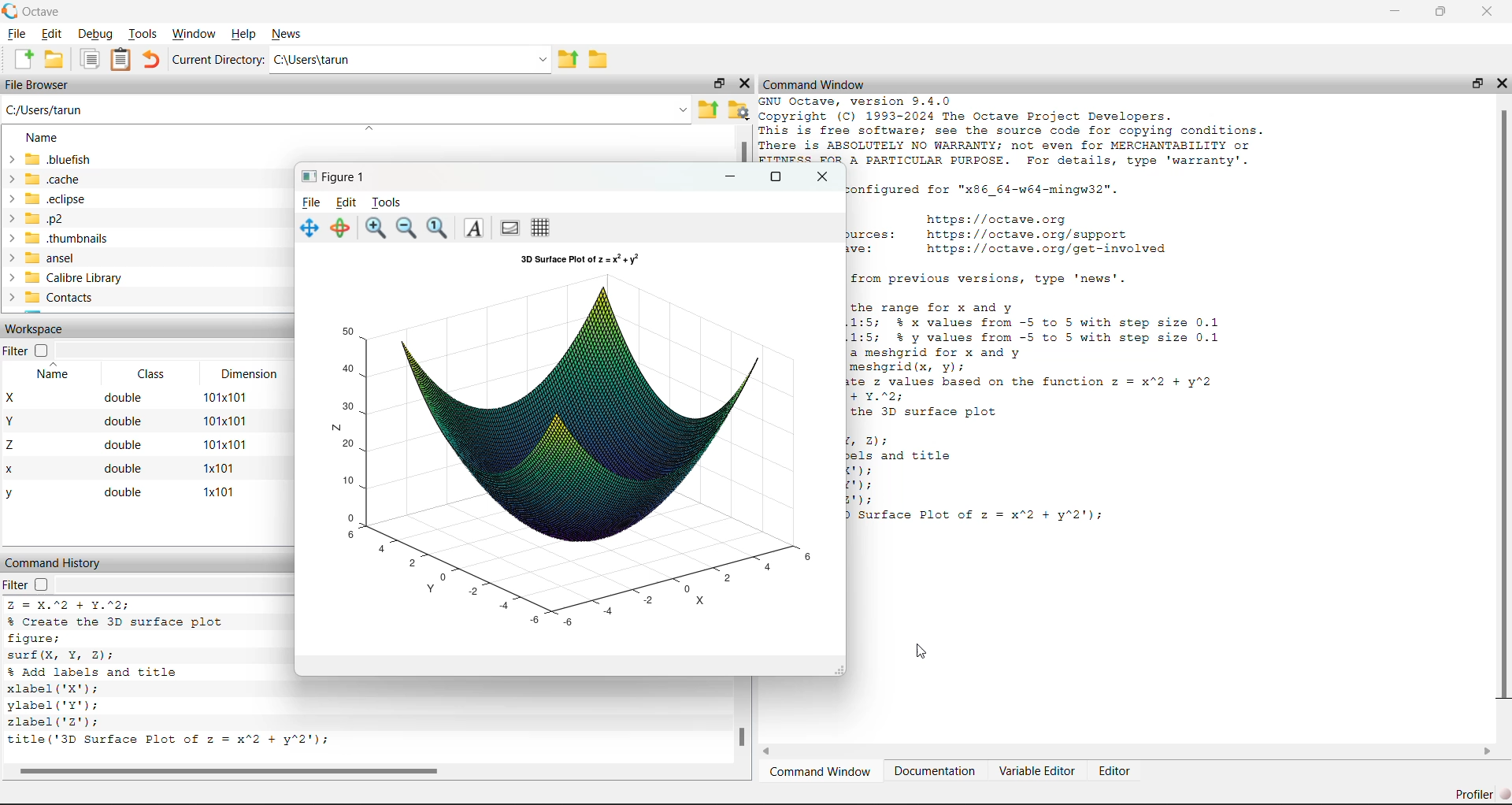  Describe the element at coordinates (17, 35) in the screenshot. I see `File` at that location.